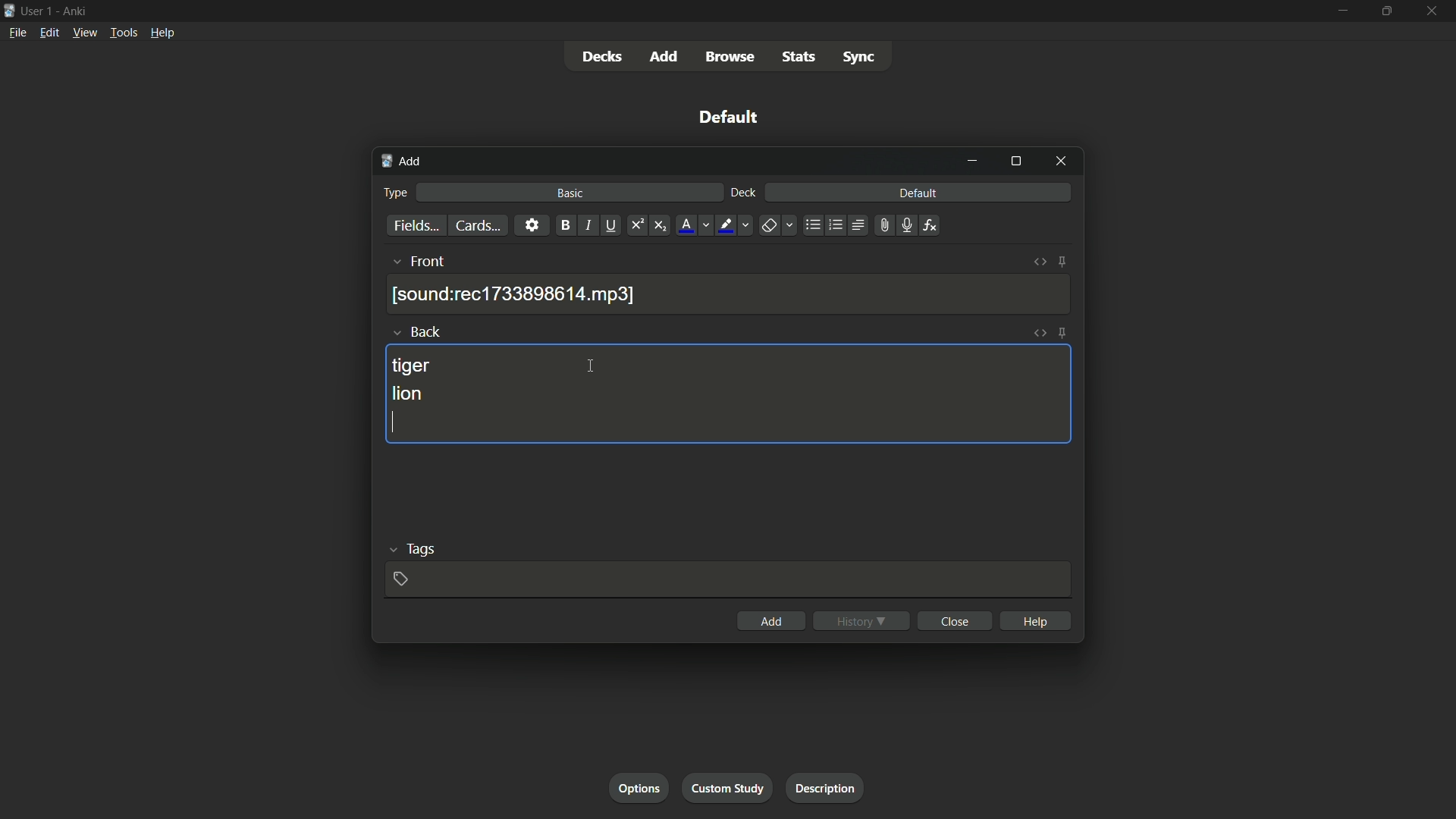 This screenshot has width=1456, height=819. I want to click on font color, so click(685, 225).